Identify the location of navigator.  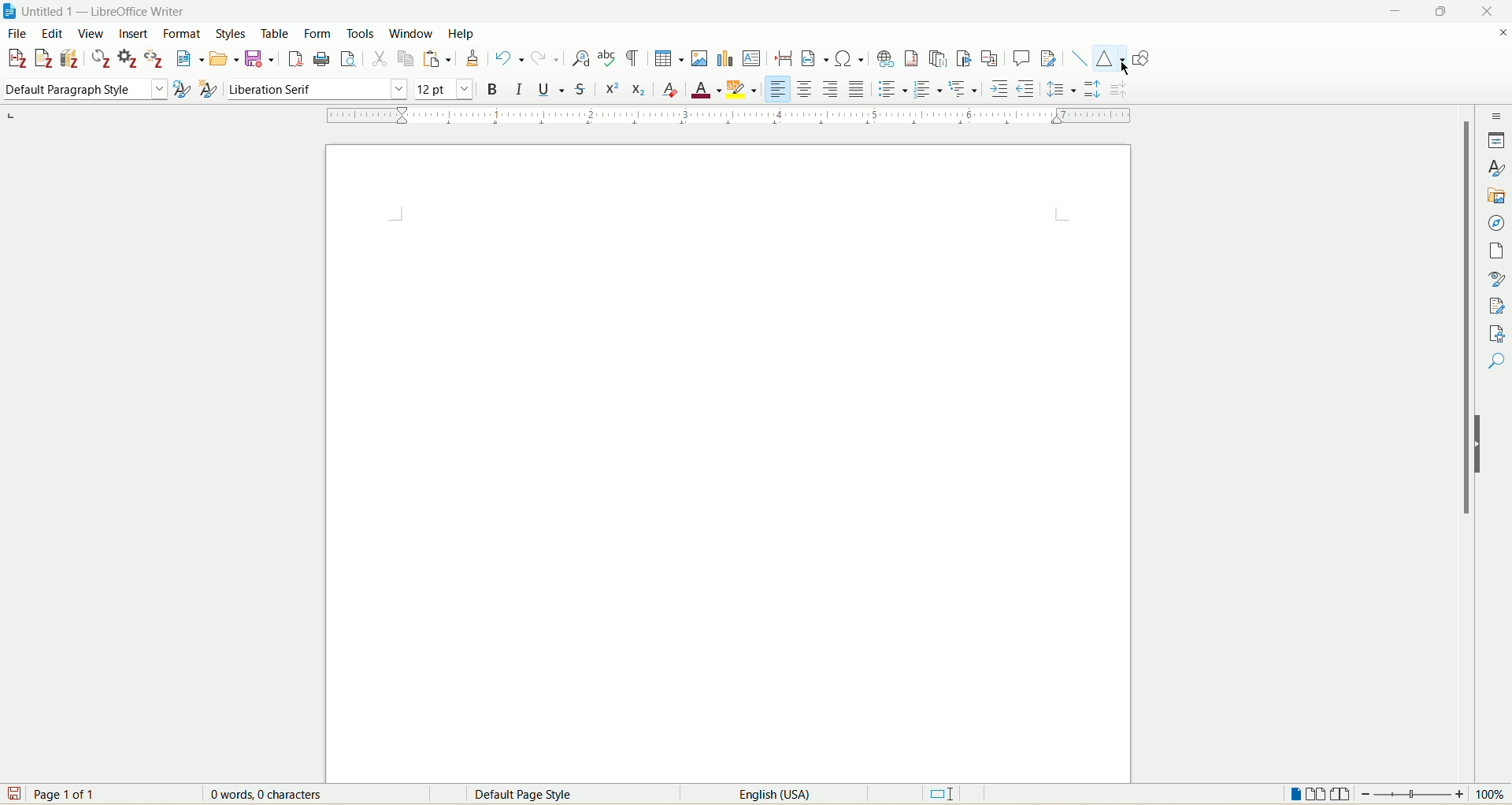
(1496, 224).